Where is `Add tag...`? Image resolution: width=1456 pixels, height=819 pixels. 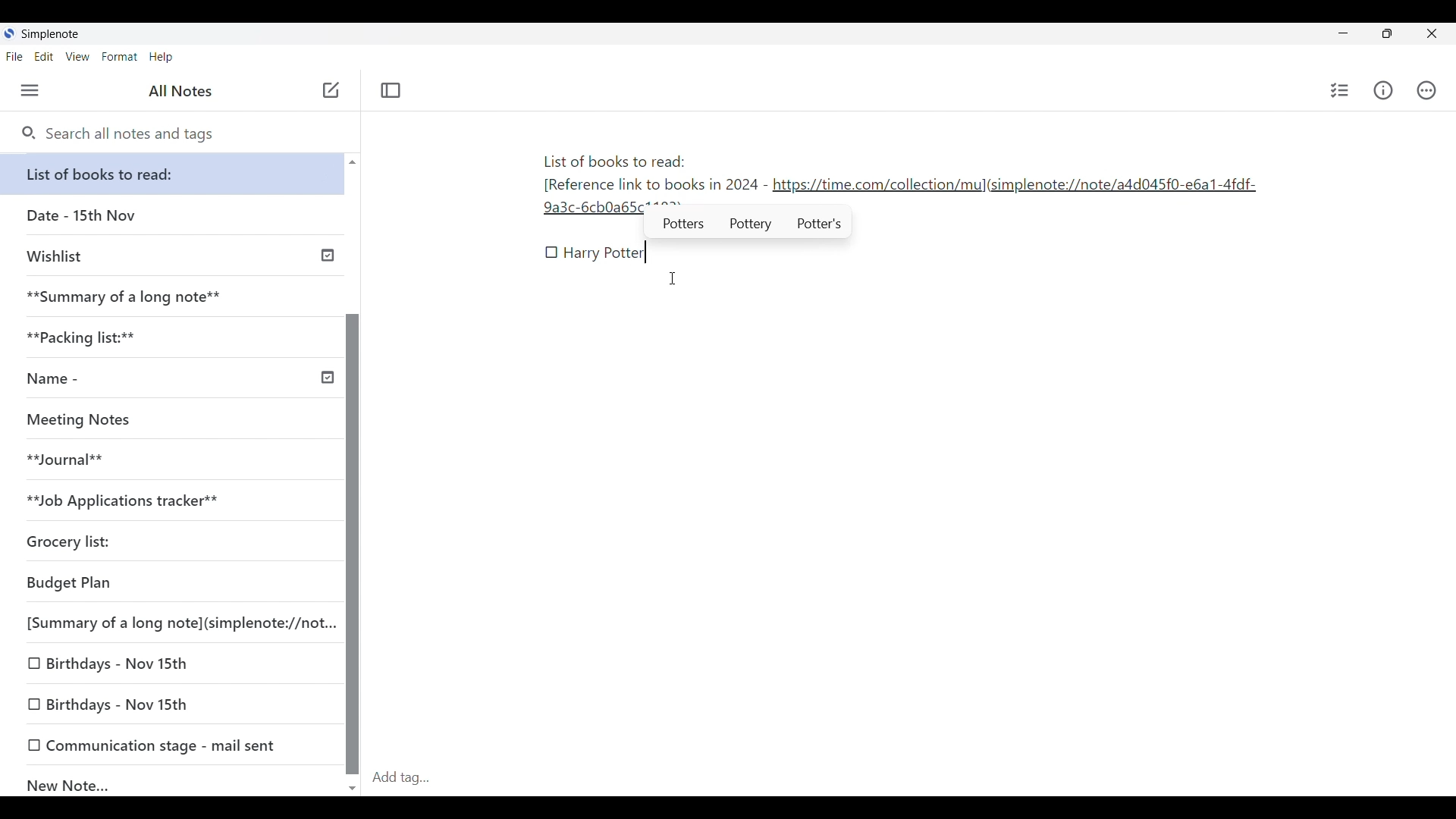
Add tag... is located at coordinates (410, 777).